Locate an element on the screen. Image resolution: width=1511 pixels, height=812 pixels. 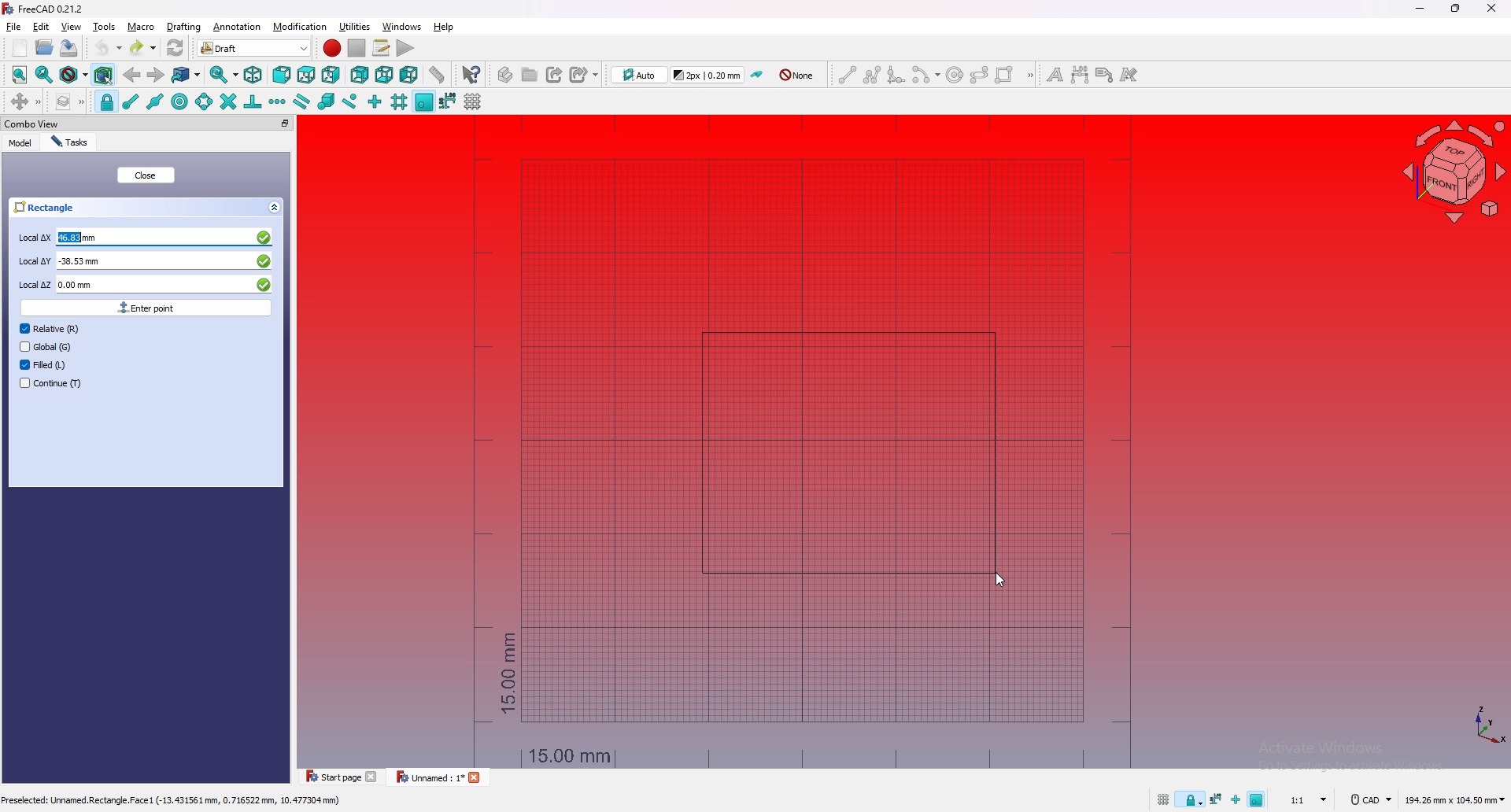
execute macro is located at coordinates (405, 48).